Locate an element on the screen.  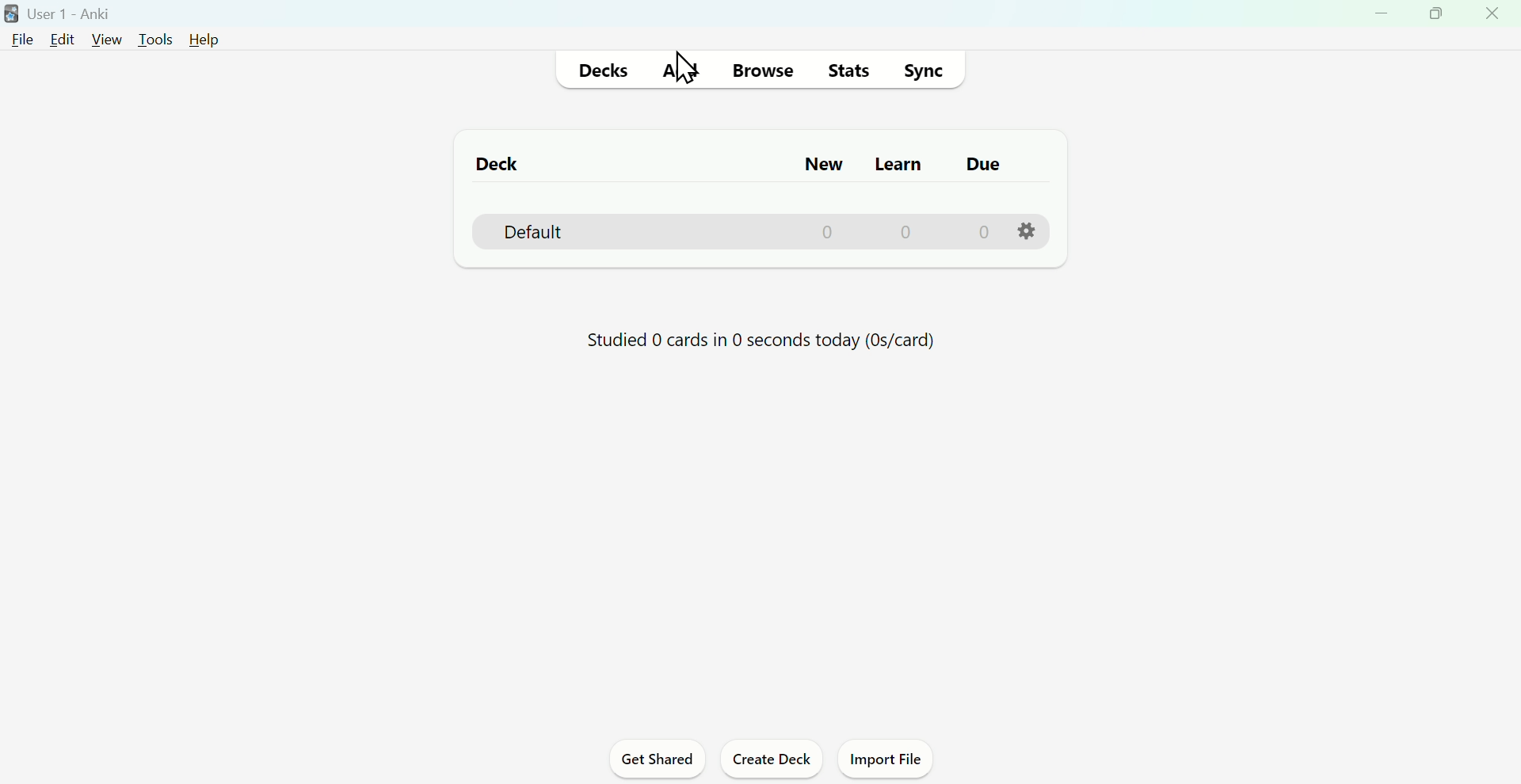
File is located at coordinates (20, 39).